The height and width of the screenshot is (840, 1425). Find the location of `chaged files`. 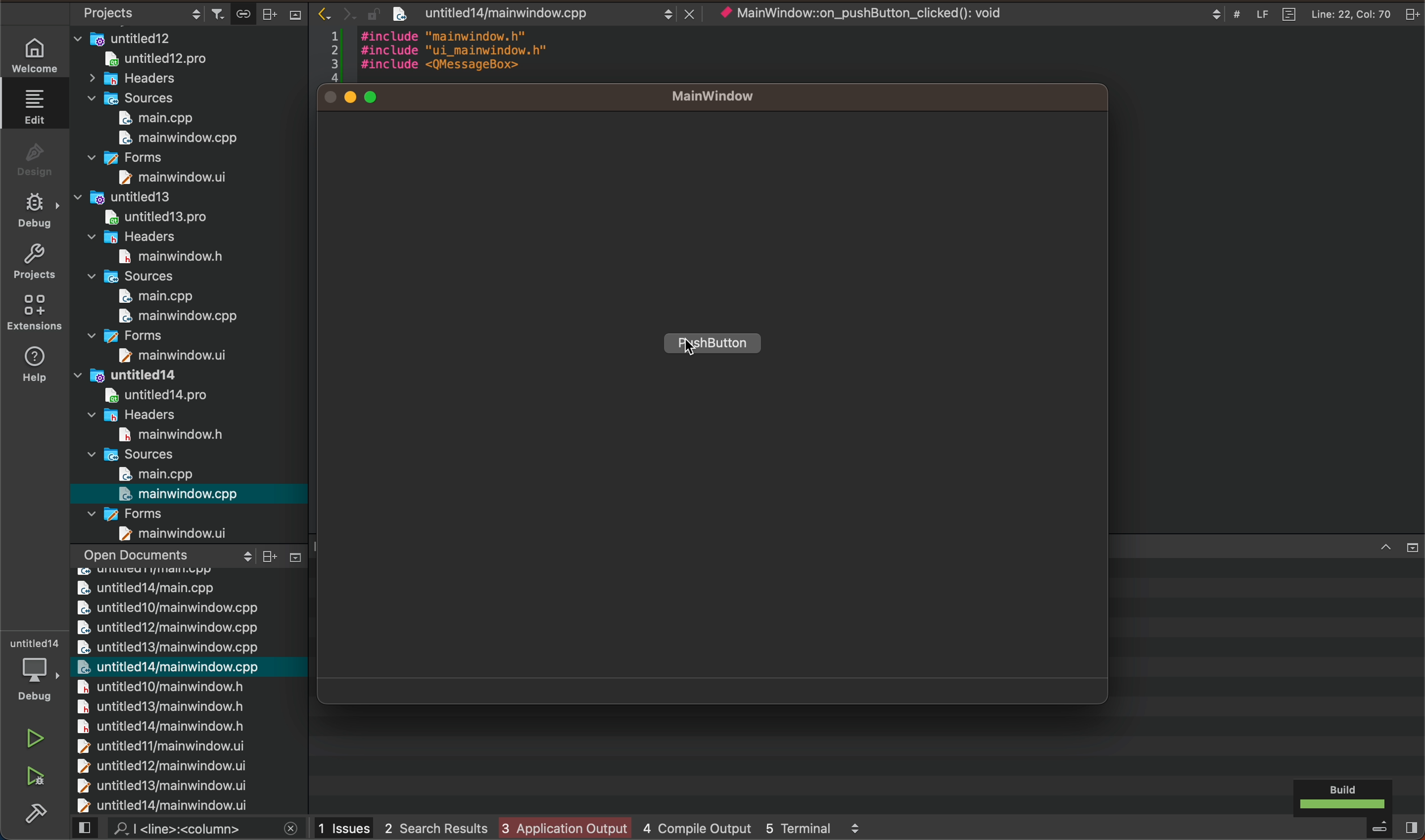

chaged files is located at coordinates (188, 681).